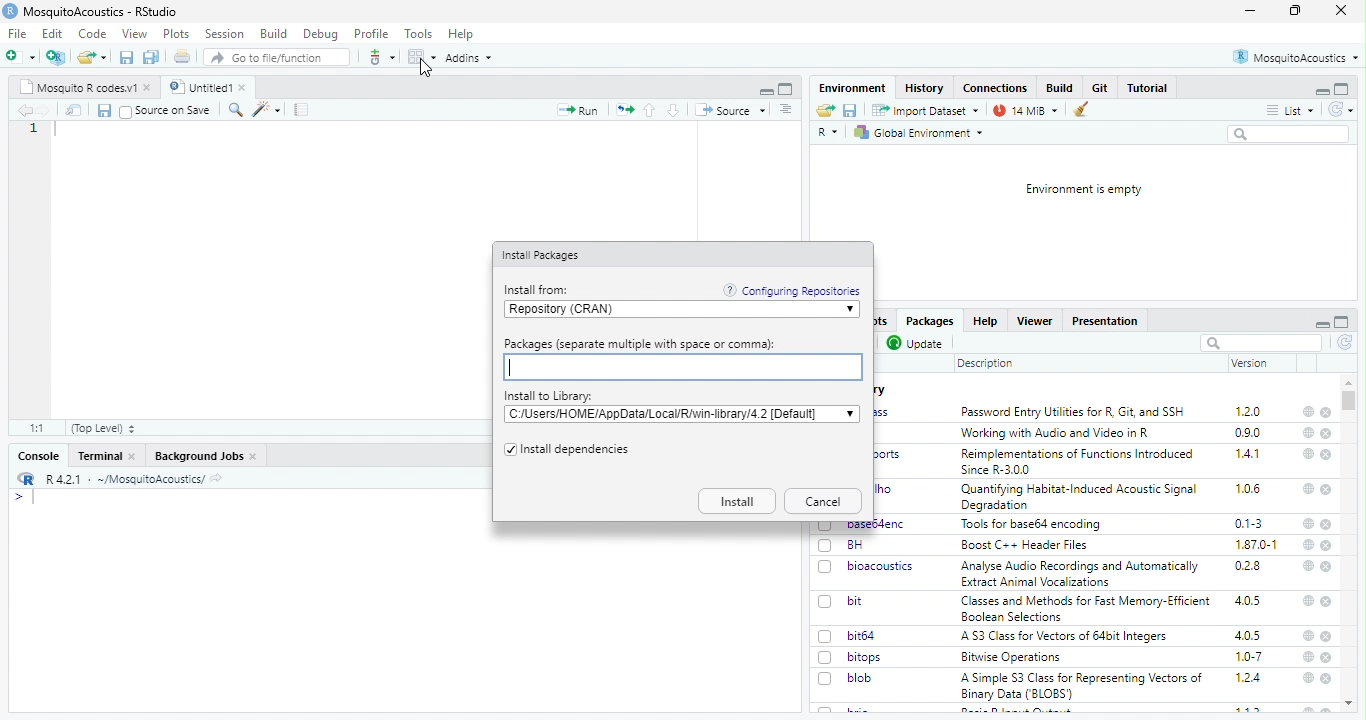 The width and height of the screenshot is (1366, 720). Describe the element at coordinates (1325, 524) in the screenshot. I see `close` at that location.